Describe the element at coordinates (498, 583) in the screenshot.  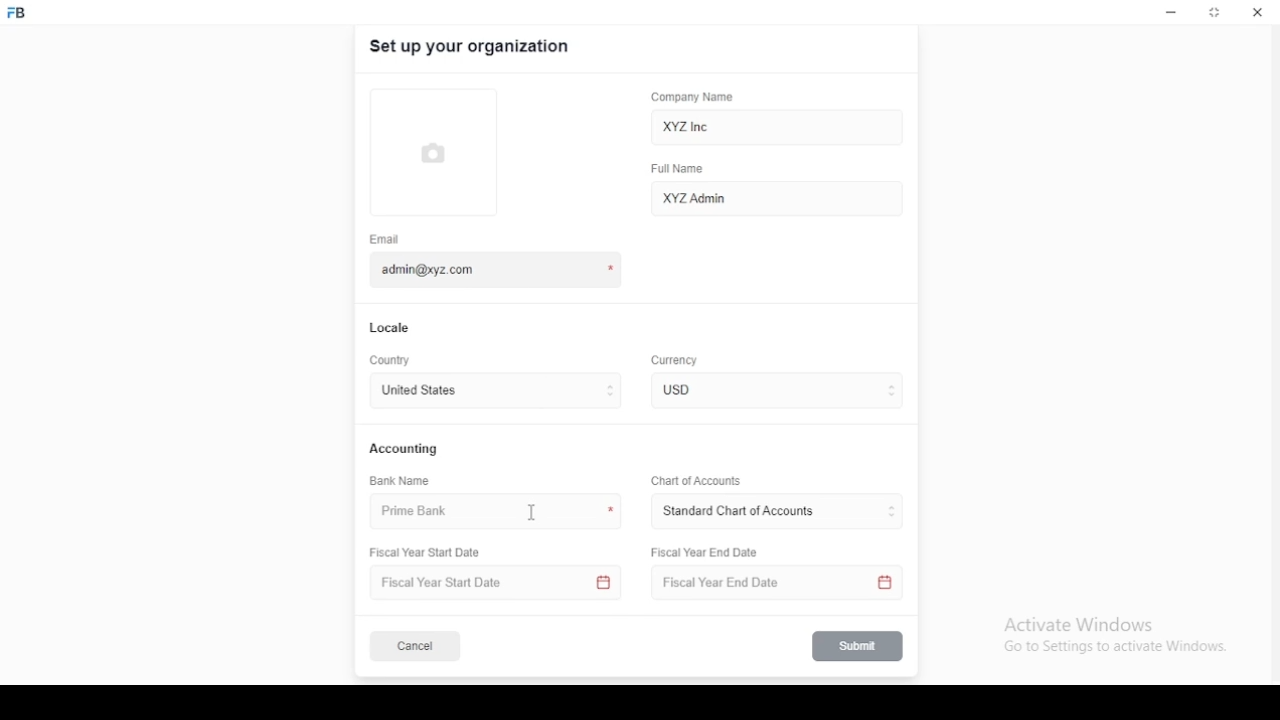
I see `Fiscal Year Start Date` at that location.